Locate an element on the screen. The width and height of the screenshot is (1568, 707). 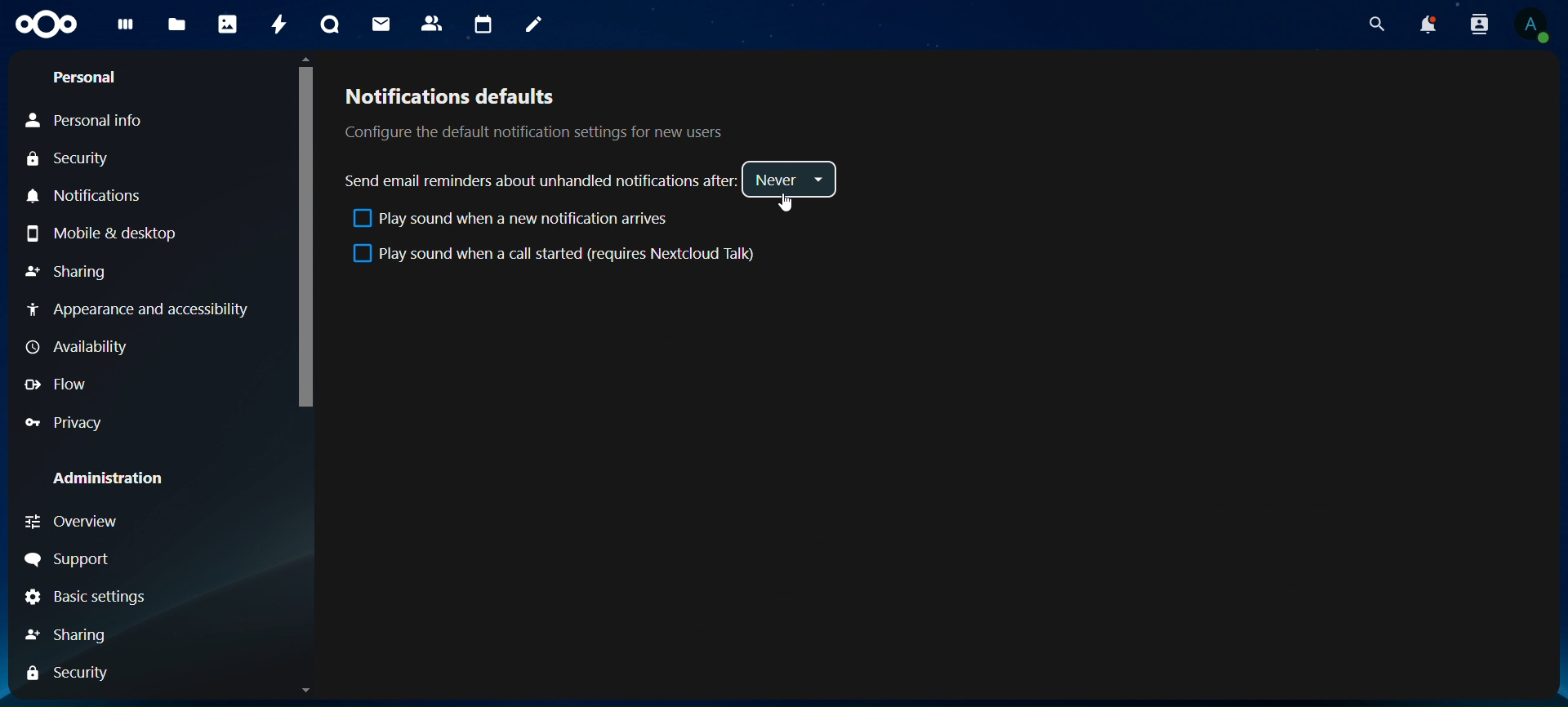
notifications is located at coordinates (1426, 24).